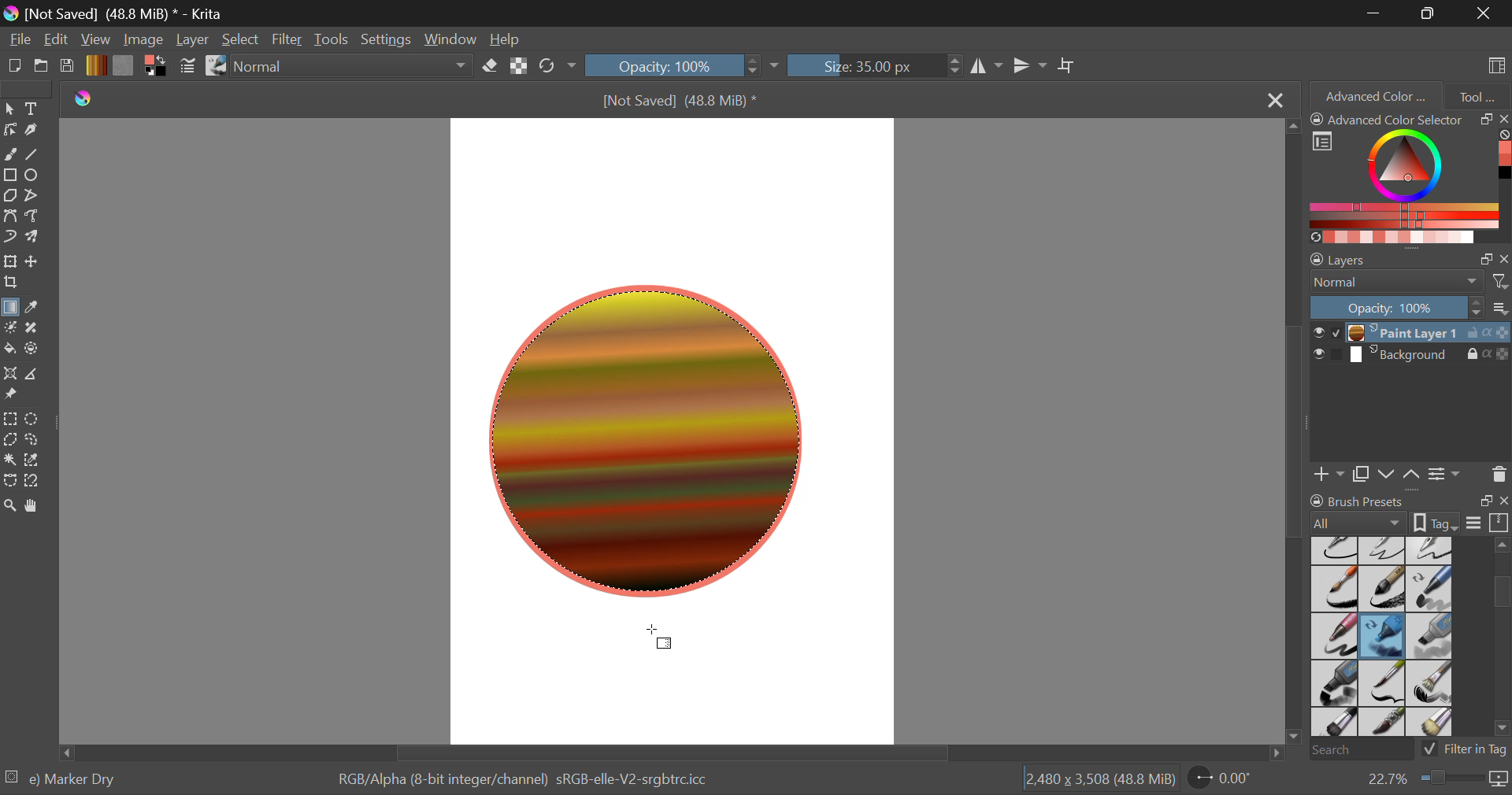 The width and height of the screenshot is (1512, 795). Describe the element at coordinates (1410, 177) in the screenshot. I see `Advanced Color Selector` at that location.